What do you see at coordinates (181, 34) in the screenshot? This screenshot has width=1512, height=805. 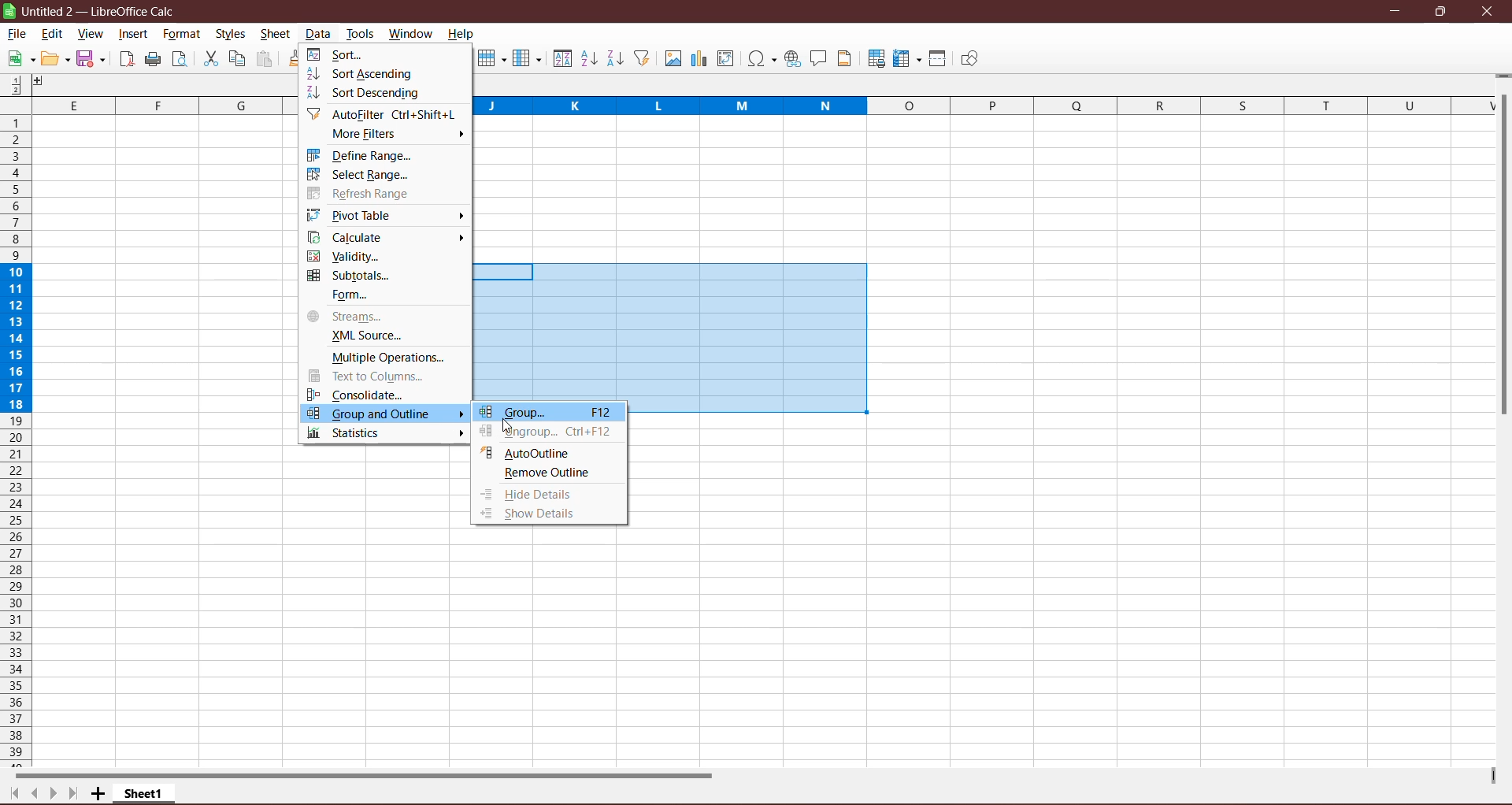 I see `Format` at bounding box center [181, 34].